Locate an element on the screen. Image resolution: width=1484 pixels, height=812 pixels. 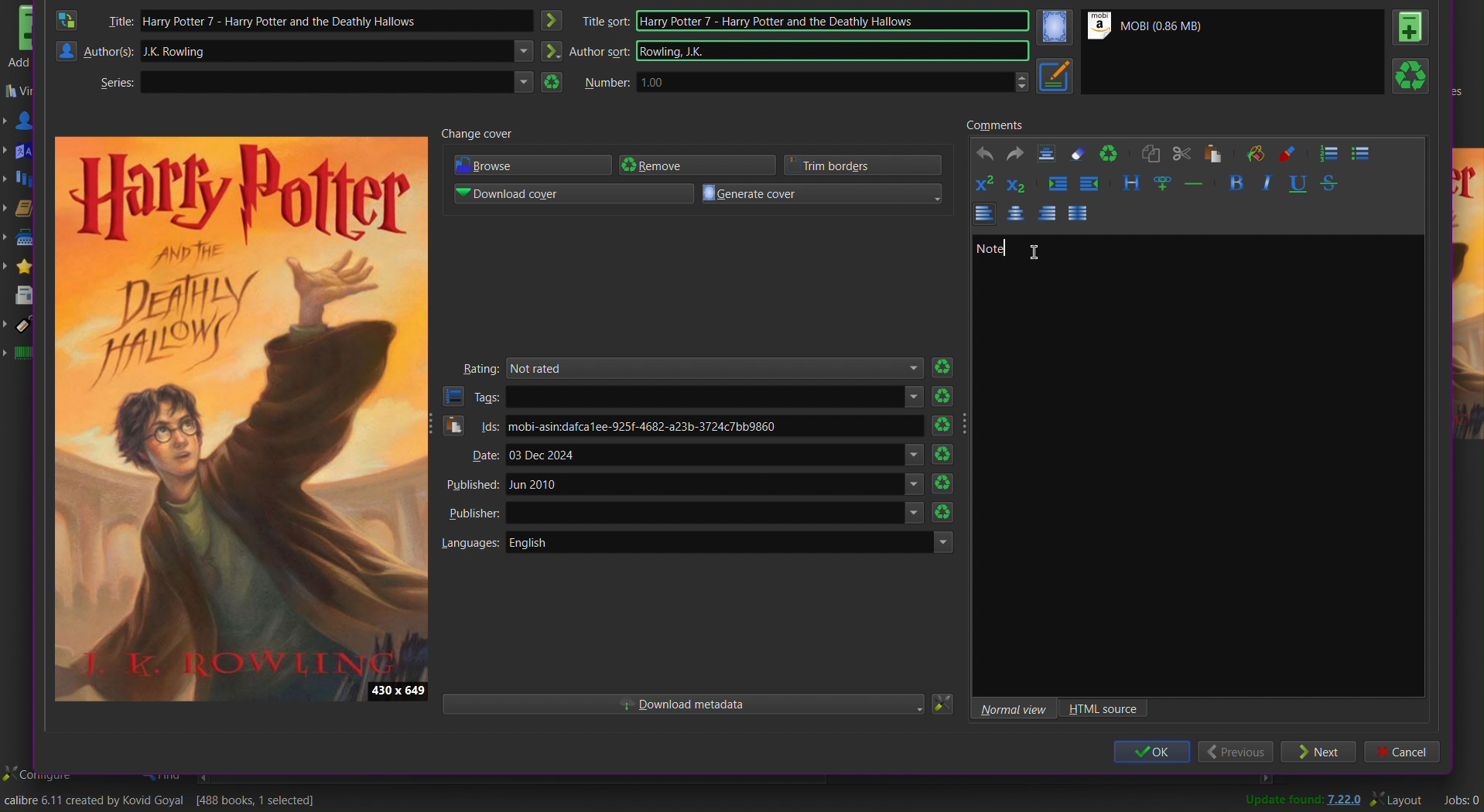
Superscript is located at coordinates (986, 183).